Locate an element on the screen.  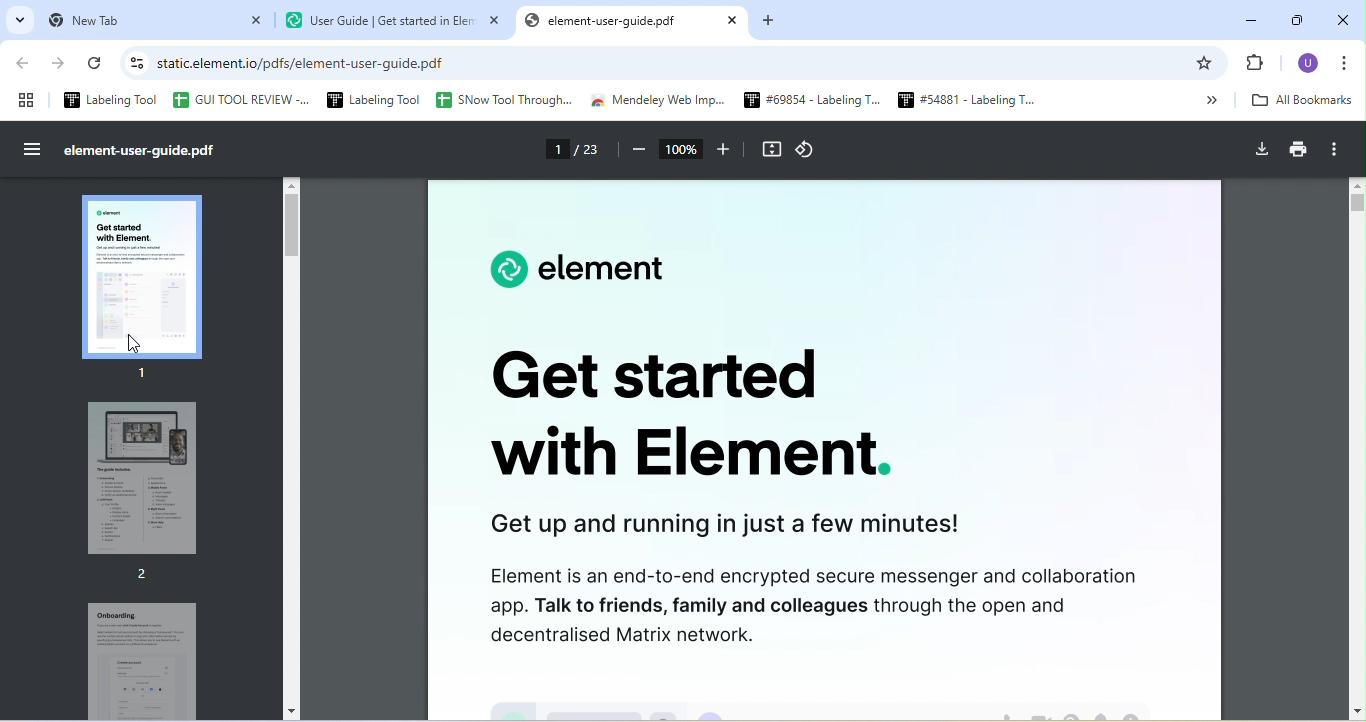
get up and running in just a few minutes is located at coordinates (737, 525).